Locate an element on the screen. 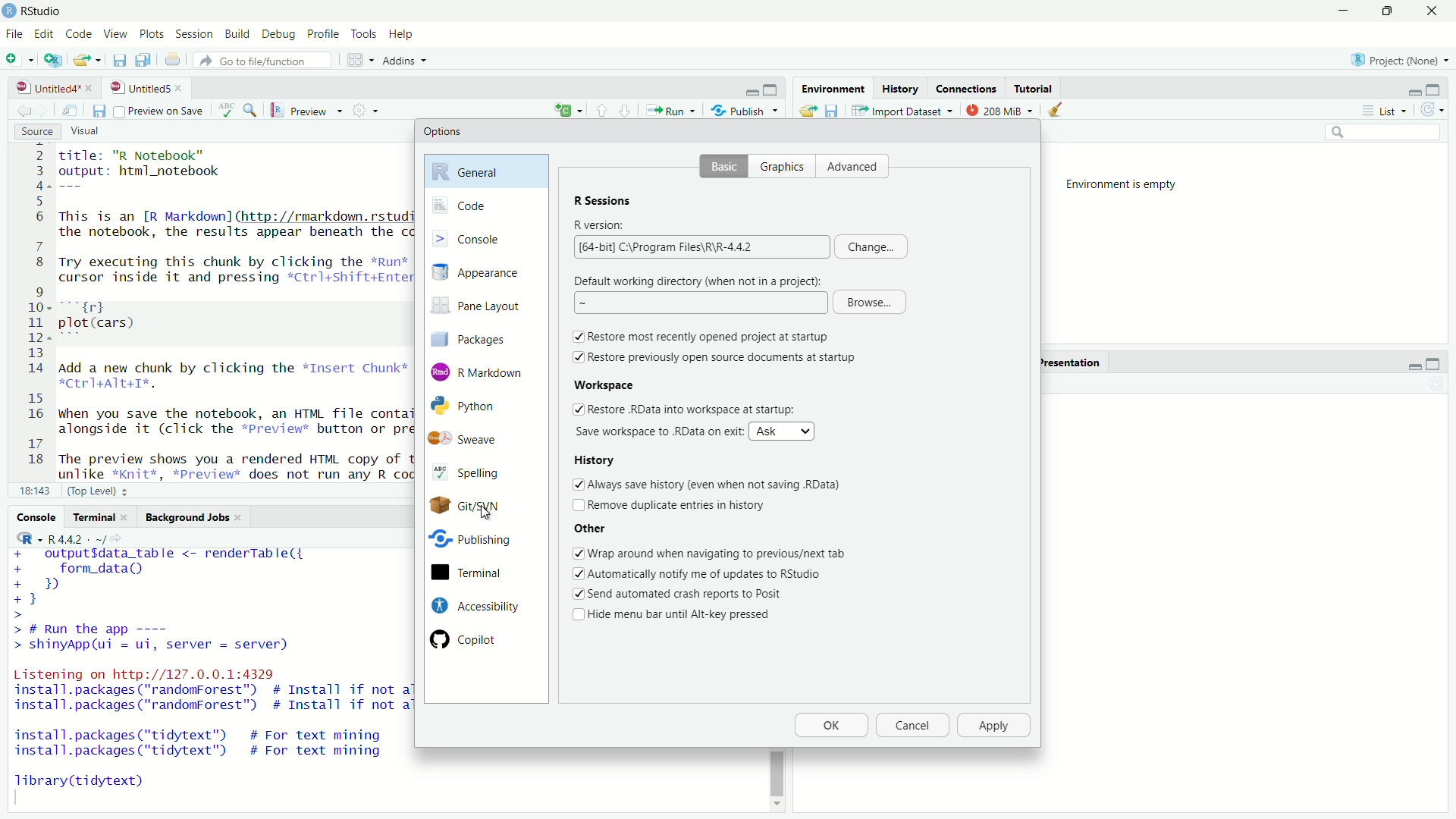 Image resolution: width=1456 pixels, height=819 pixels. check box is located at coordinates (575, 409).